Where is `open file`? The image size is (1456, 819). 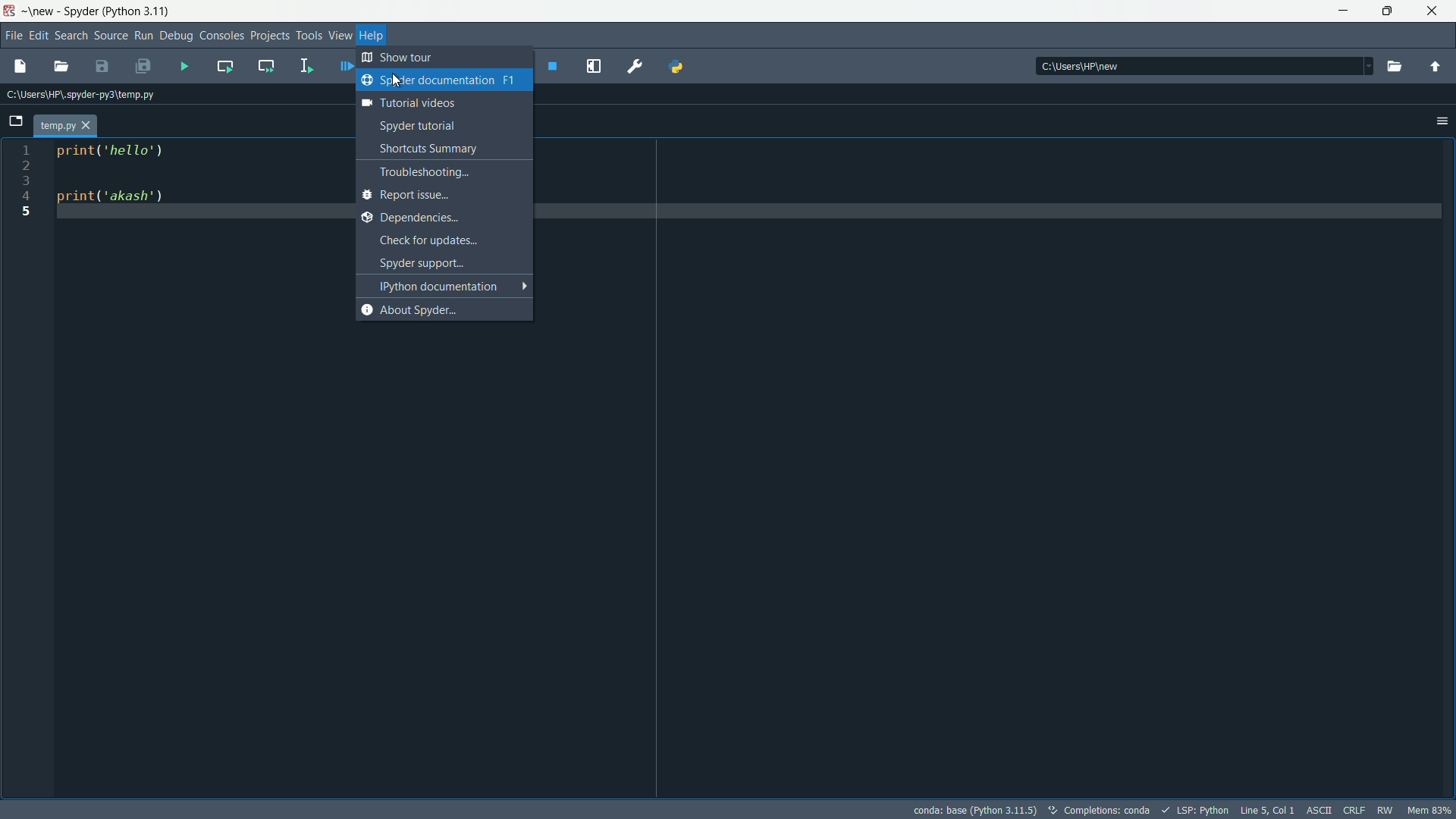 open file is located at coordinates (61, 67).